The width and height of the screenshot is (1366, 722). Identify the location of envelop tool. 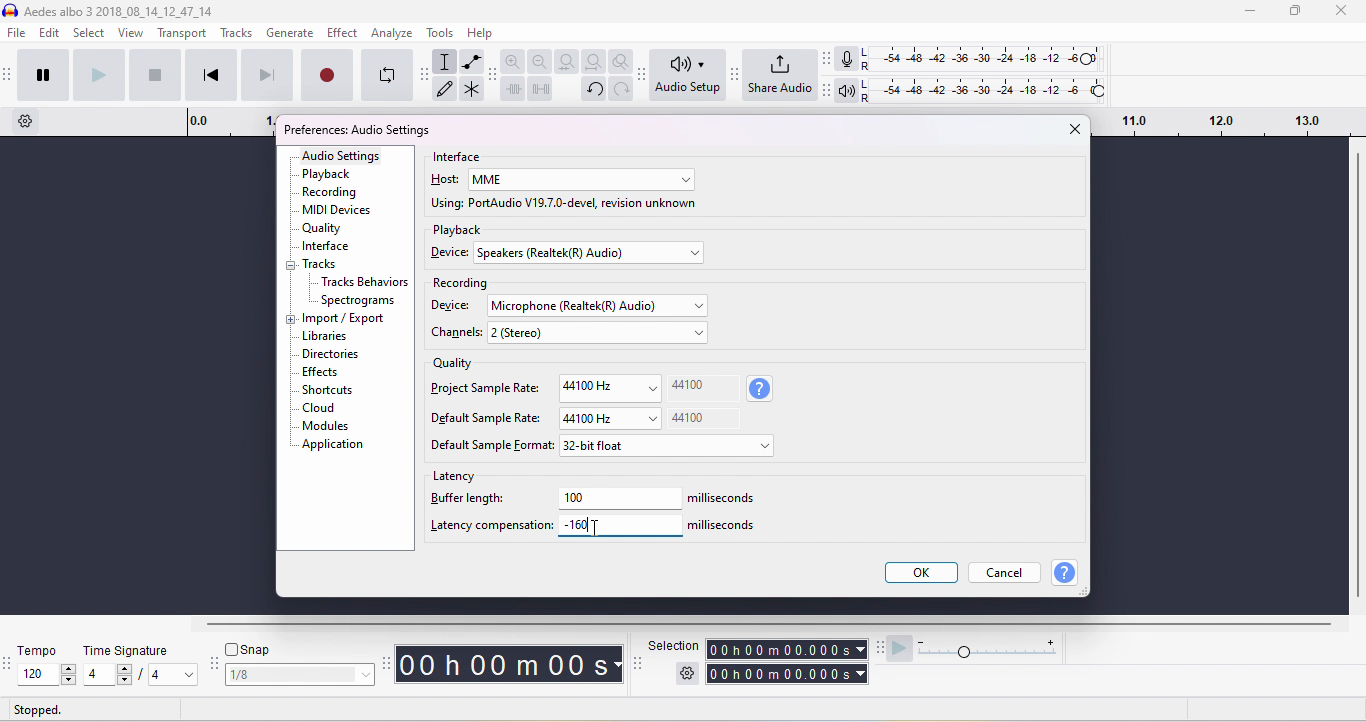
(473, 63).